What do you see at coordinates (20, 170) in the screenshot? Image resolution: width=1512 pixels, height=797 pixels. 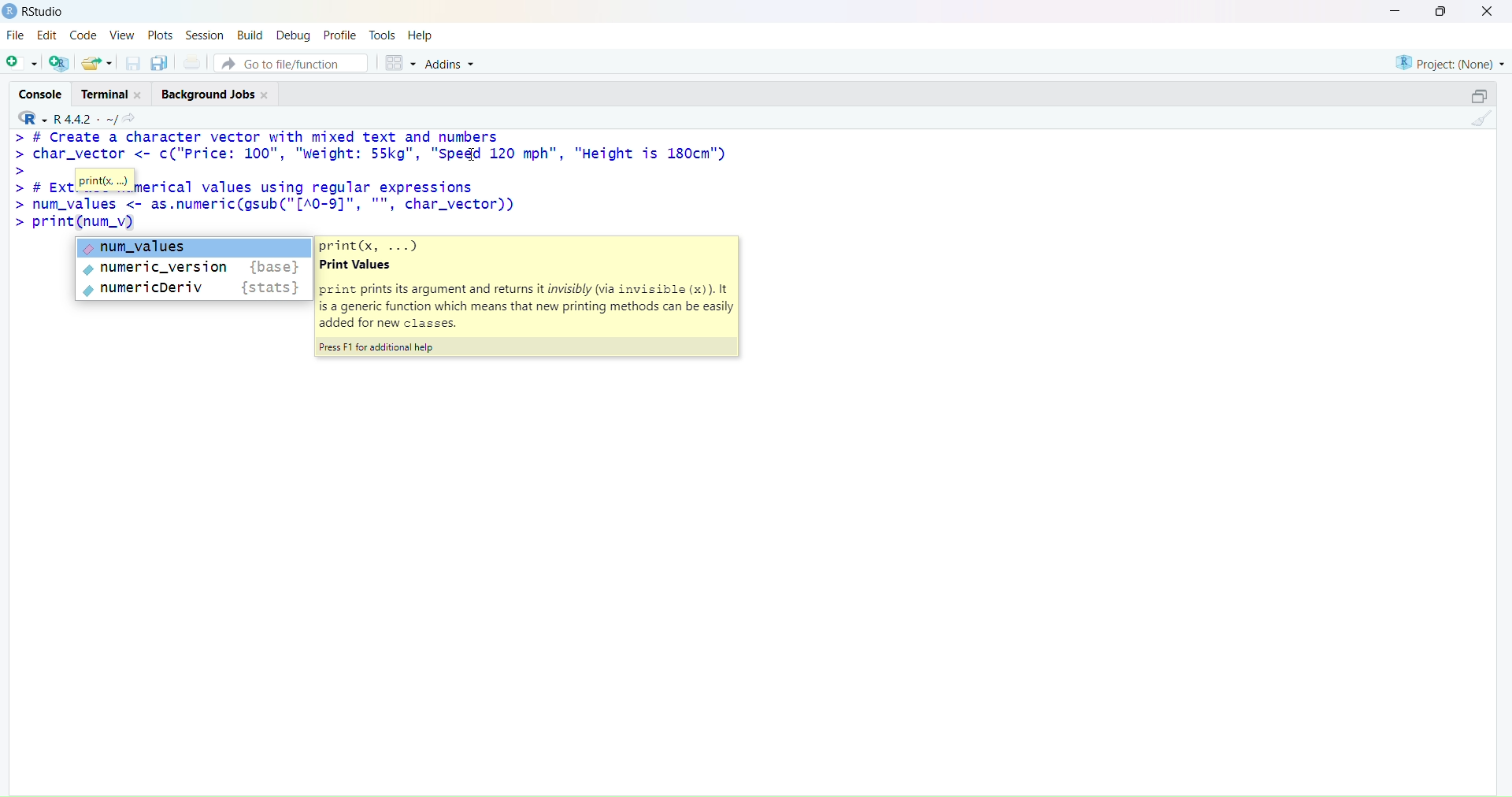 I see `>` at bounding box center [20, 170].